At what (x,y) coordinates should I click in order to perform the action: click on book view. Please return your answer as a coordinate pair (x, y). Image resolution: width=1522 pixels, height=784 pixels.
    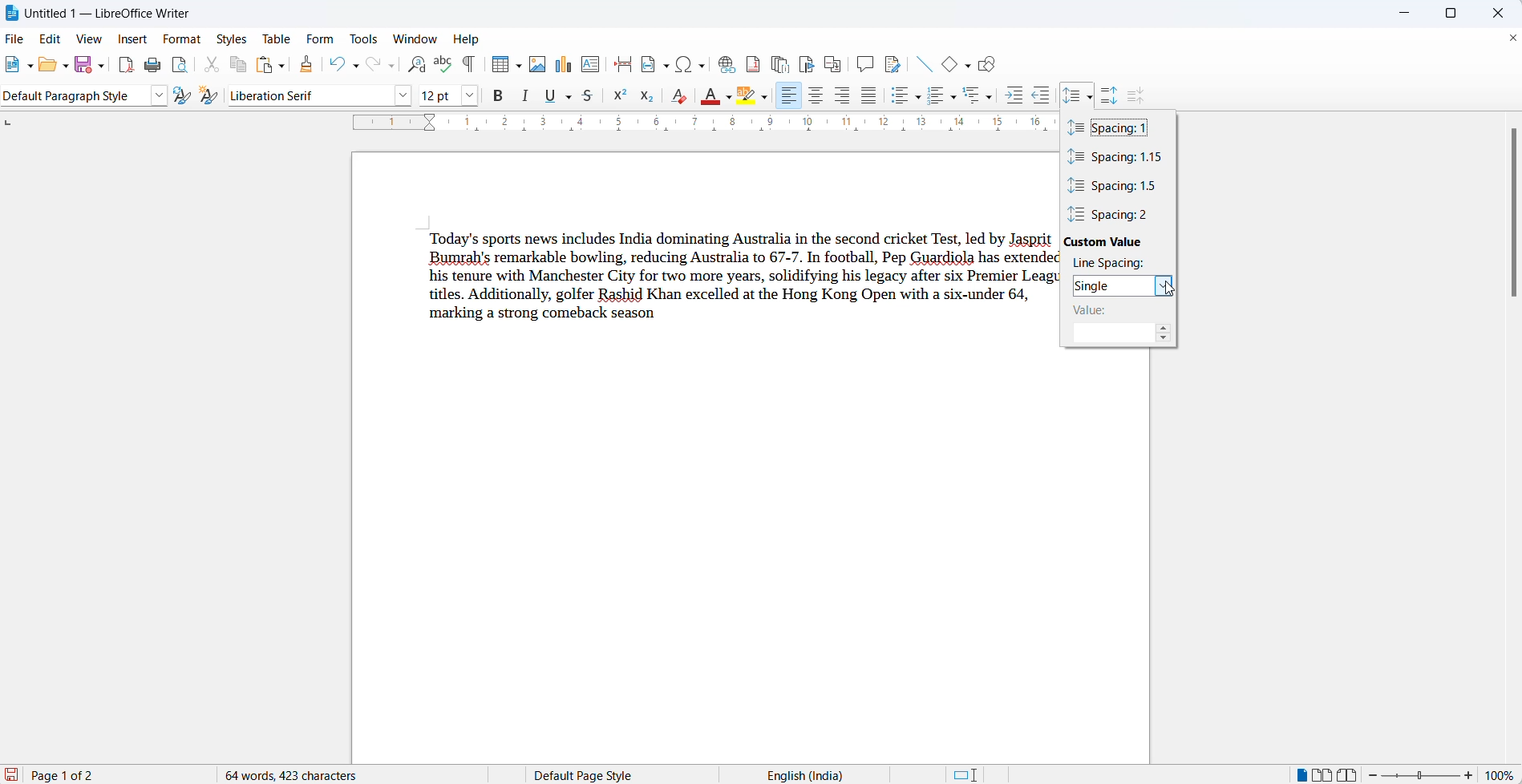
    Looking at the image, I should click on (1350, 773).